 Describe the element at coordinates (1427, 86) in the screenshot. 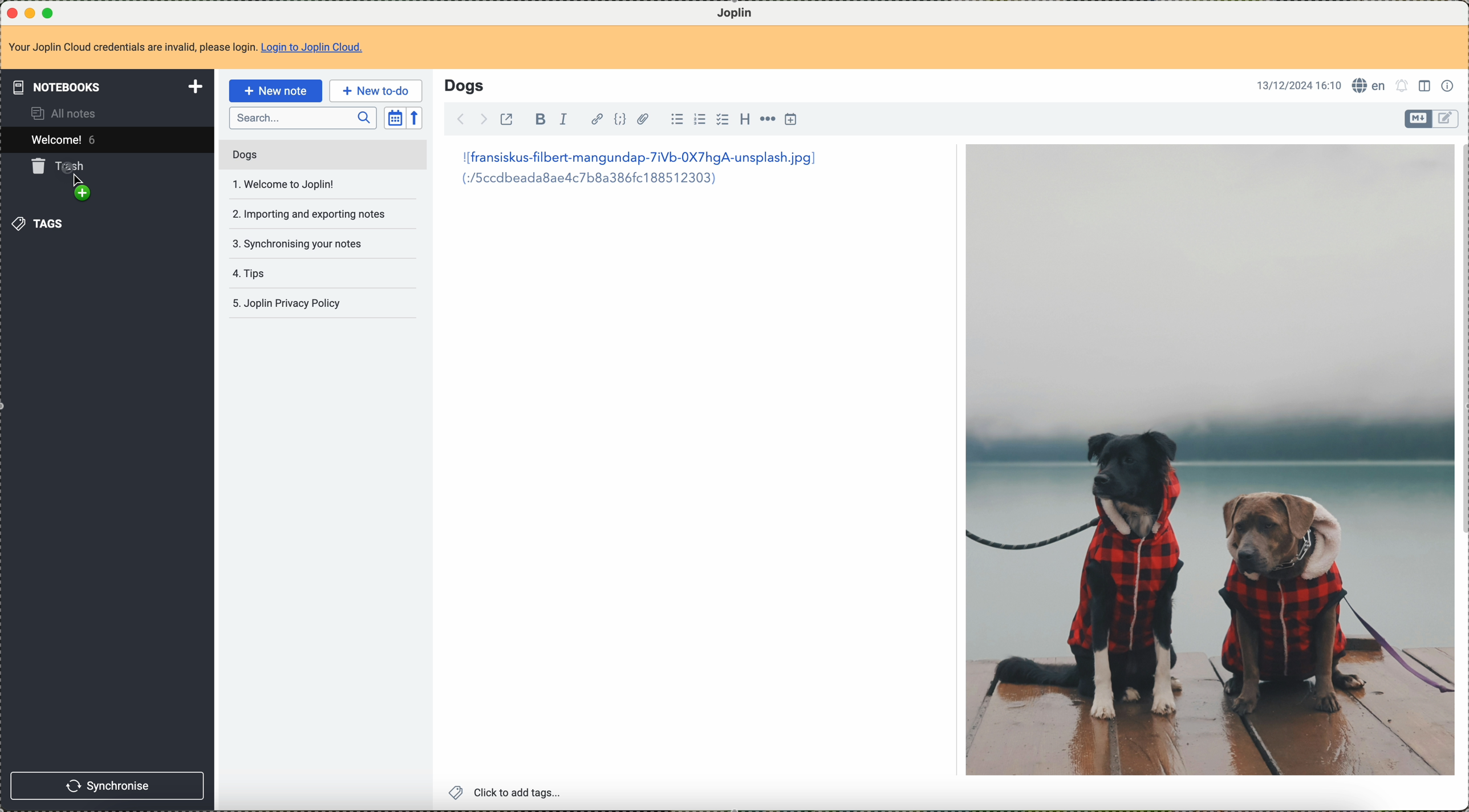

I see `toggle editor layout` at that location.